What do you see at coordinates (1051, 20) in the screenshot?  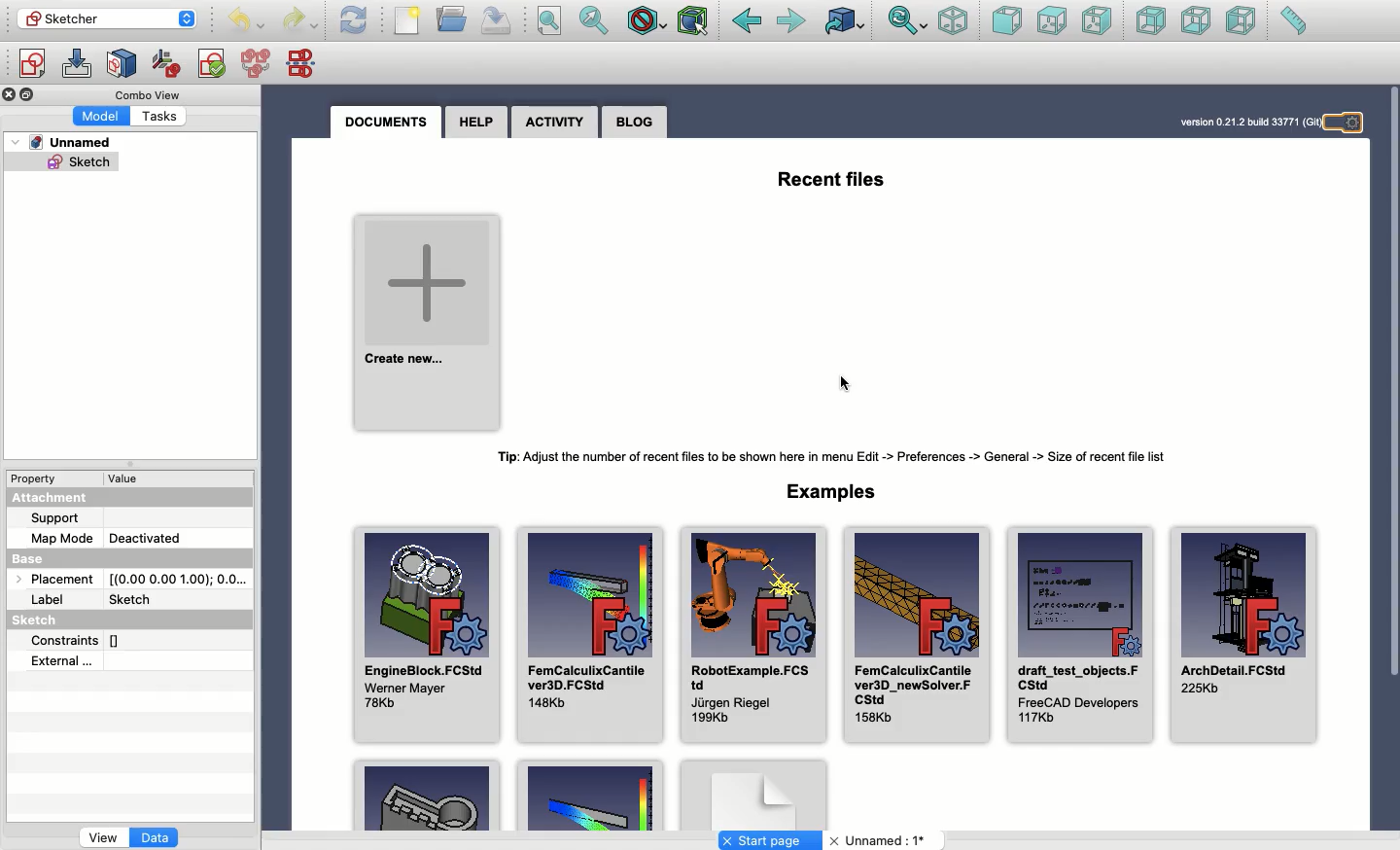 I see `Top` at bounding box center [1051, 20].